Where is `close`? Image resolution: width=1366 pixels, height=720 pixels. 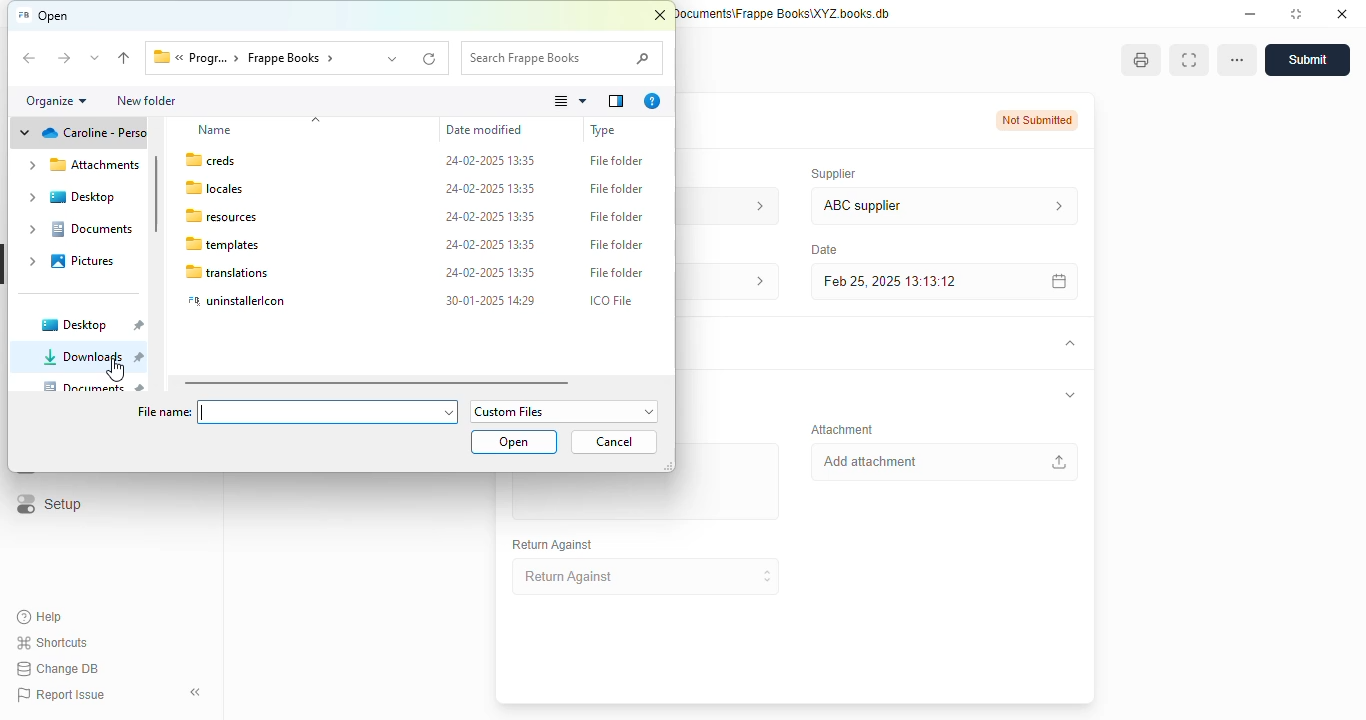 close is located at coordinates (660, 16).